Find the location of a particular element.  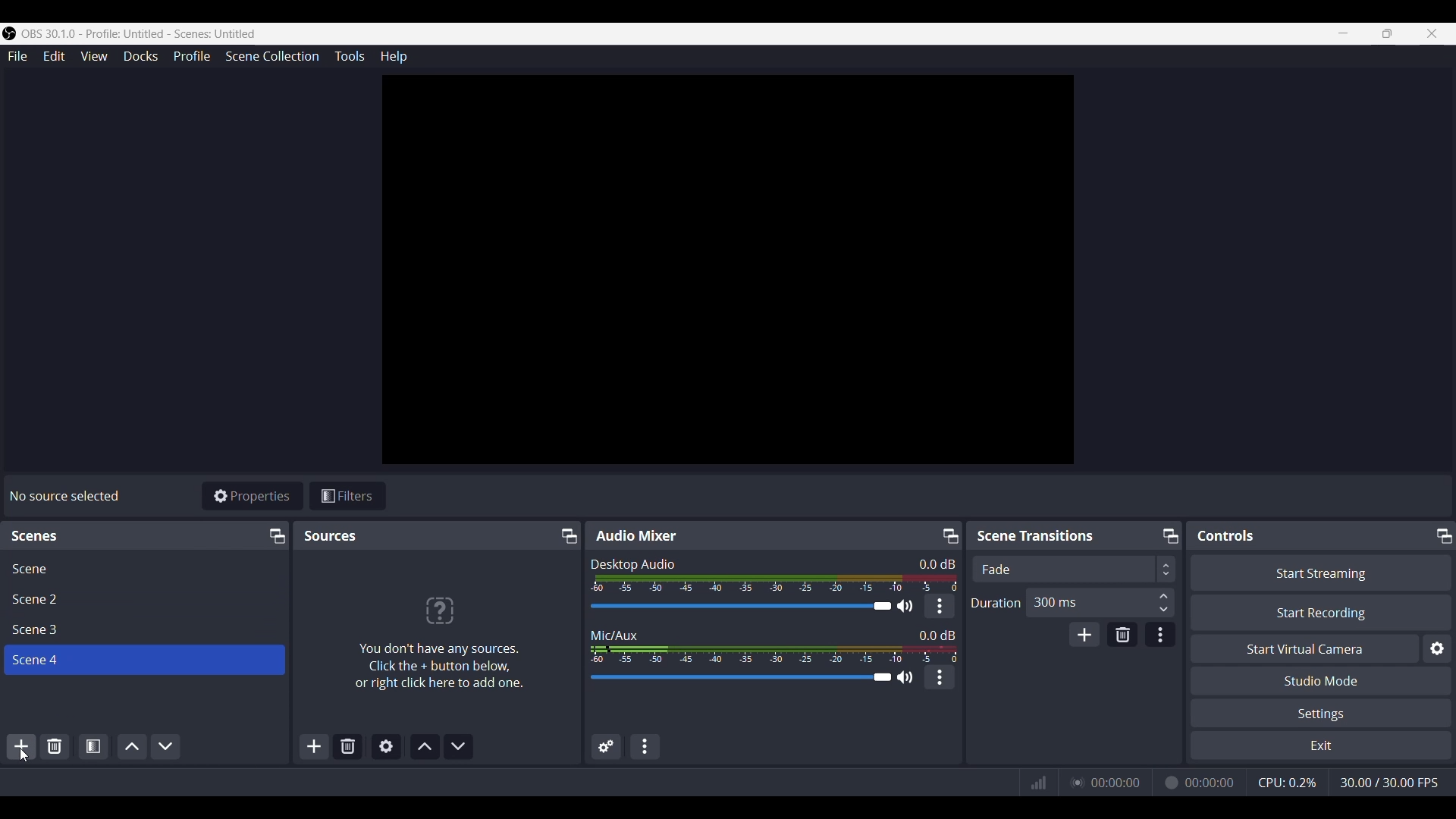

Docks is located at coordinates (140, 56).